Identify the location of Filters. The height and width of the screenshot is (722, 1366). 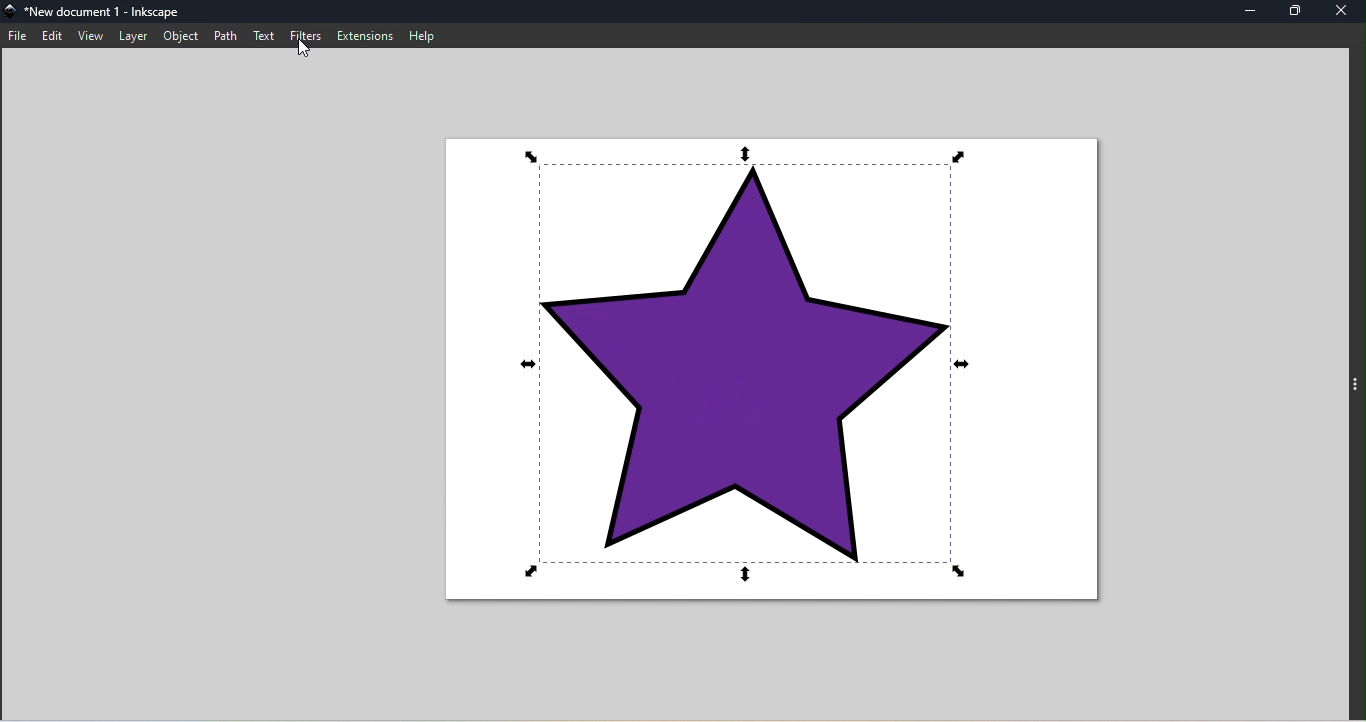
(307, 38).